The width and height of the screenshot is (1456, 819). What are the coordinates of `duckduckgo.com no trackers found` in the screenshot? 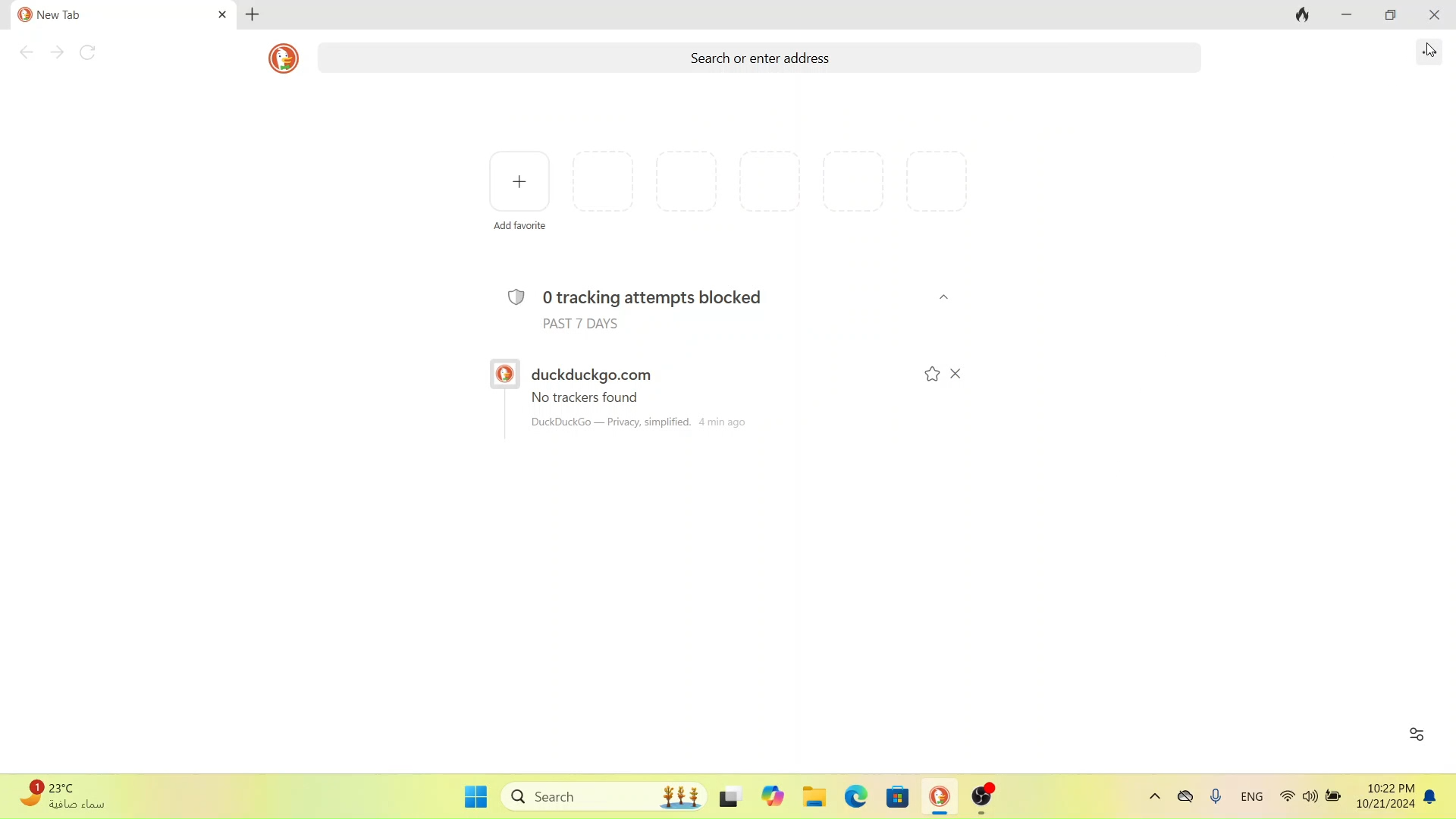 It's located at (683, 395).